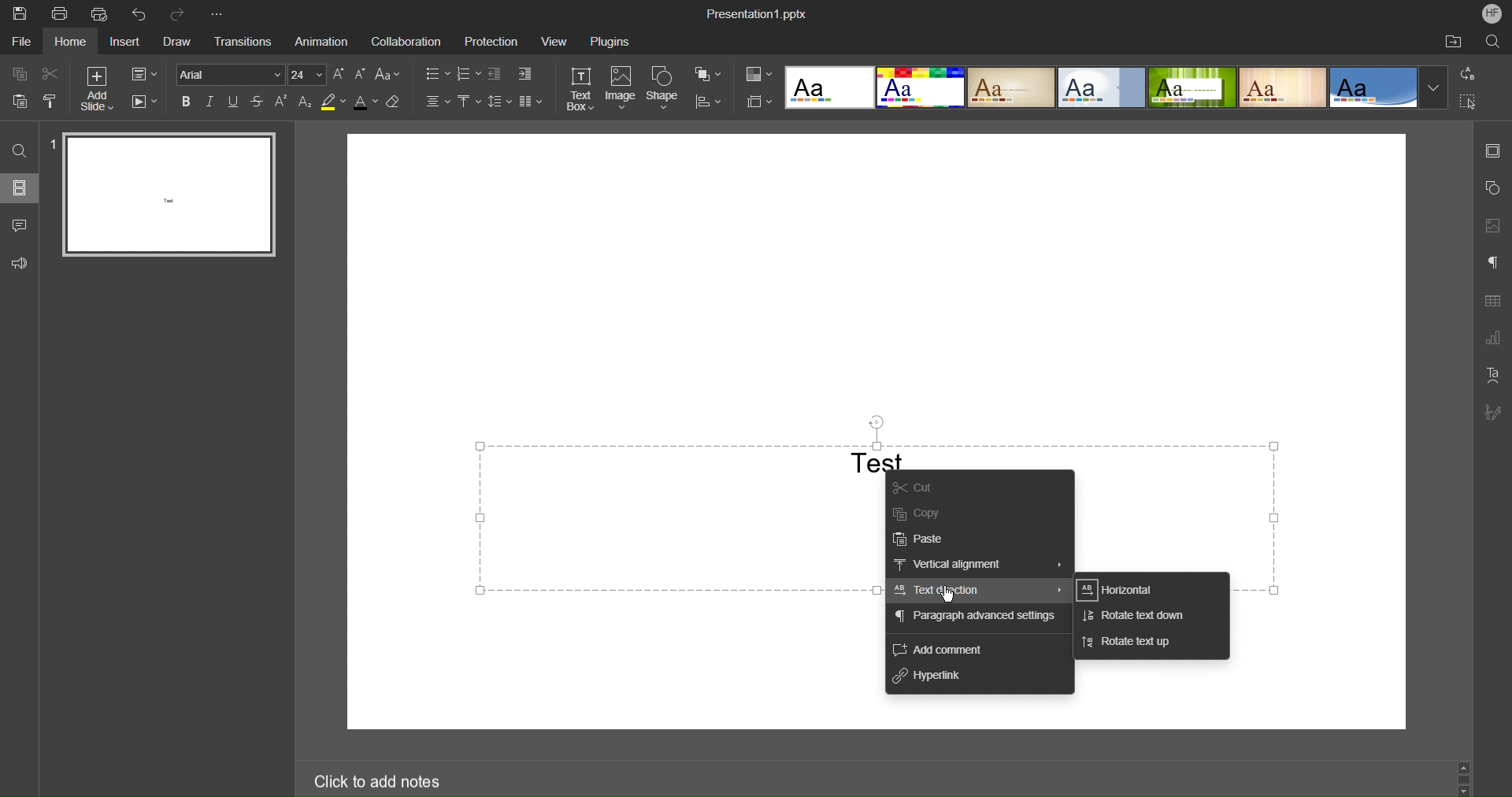 This screenshot has width=1512, height=797. Describe the element at coordinates (930, 511) in the screenshot. I see `Copy` at that location.